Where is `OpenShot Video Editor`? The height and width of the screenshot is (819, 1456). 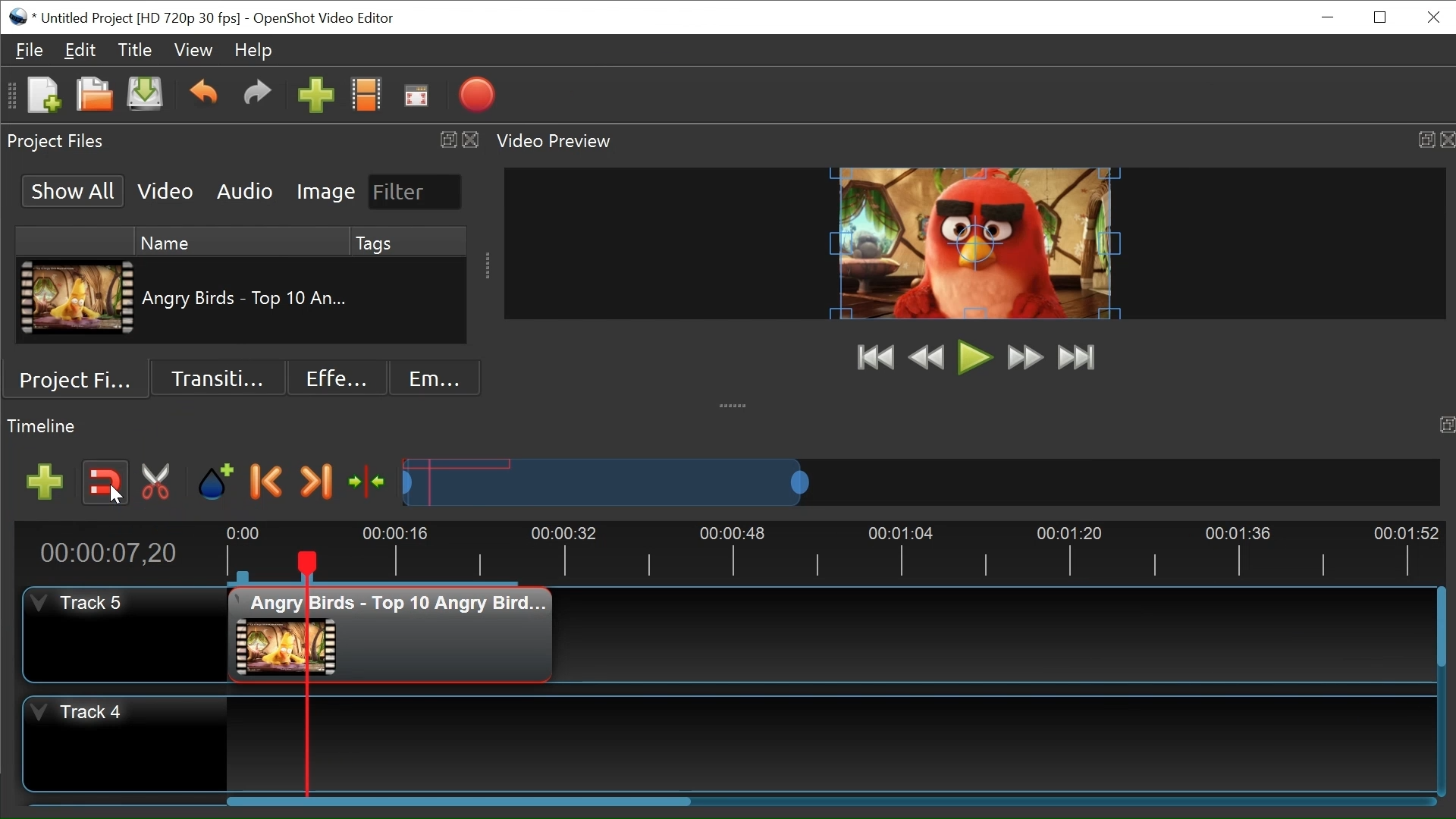
OpenShot Video Editor is located at coordinates (327, 18).